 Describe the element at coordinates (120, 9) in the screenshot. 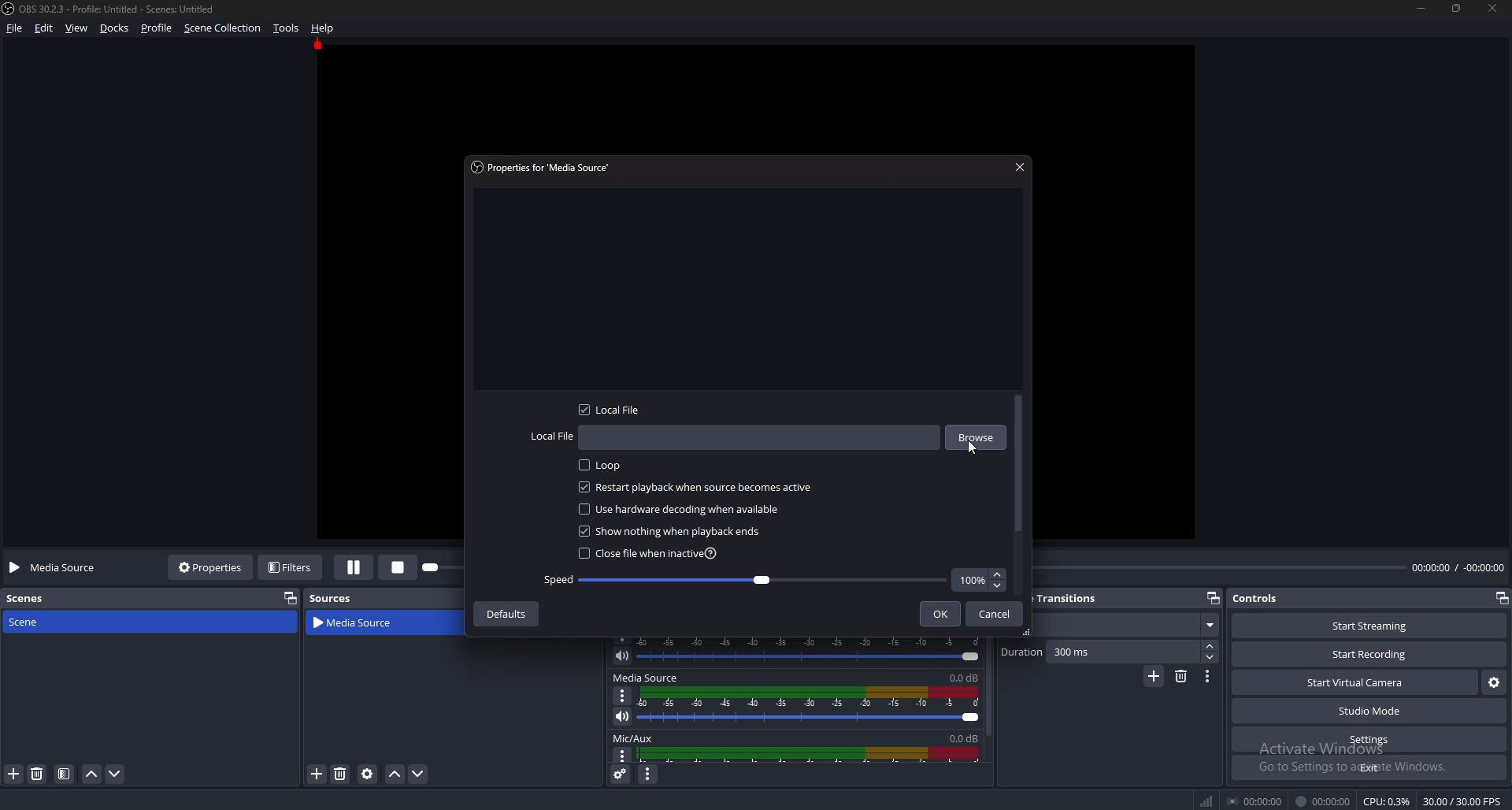

I see `‘OBS 30.2.3 - Profile: Untitled - Scenes: Untitled` at that location.